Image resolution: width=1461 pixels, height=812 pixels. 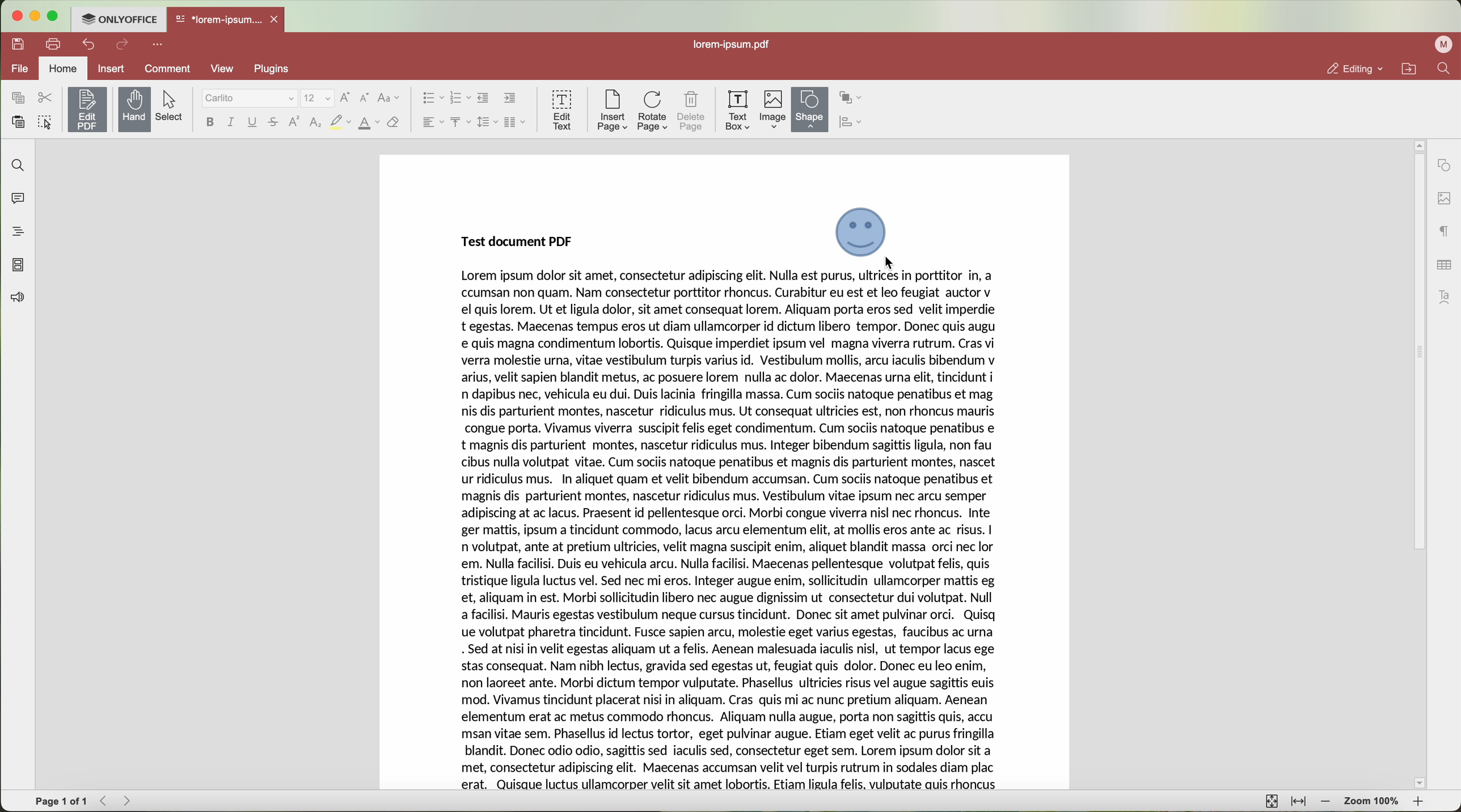 I want to click on vertical align, so click(x=458, y=122).